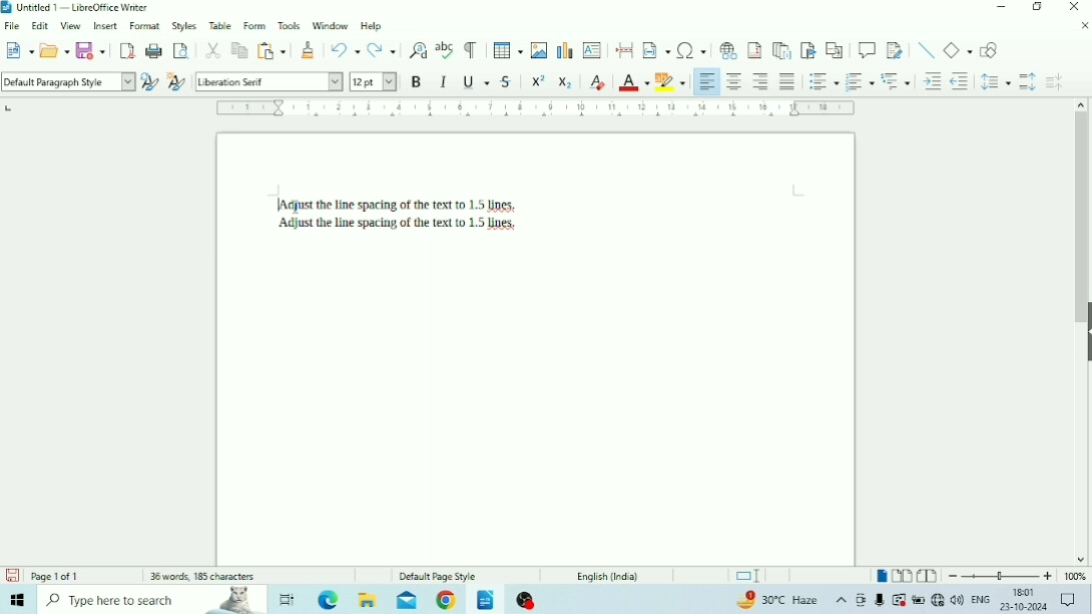  What do you see at coordinates (328, 600) in the screenshot?
I see `Microsoft Edge` at bounding box center [328, 600].